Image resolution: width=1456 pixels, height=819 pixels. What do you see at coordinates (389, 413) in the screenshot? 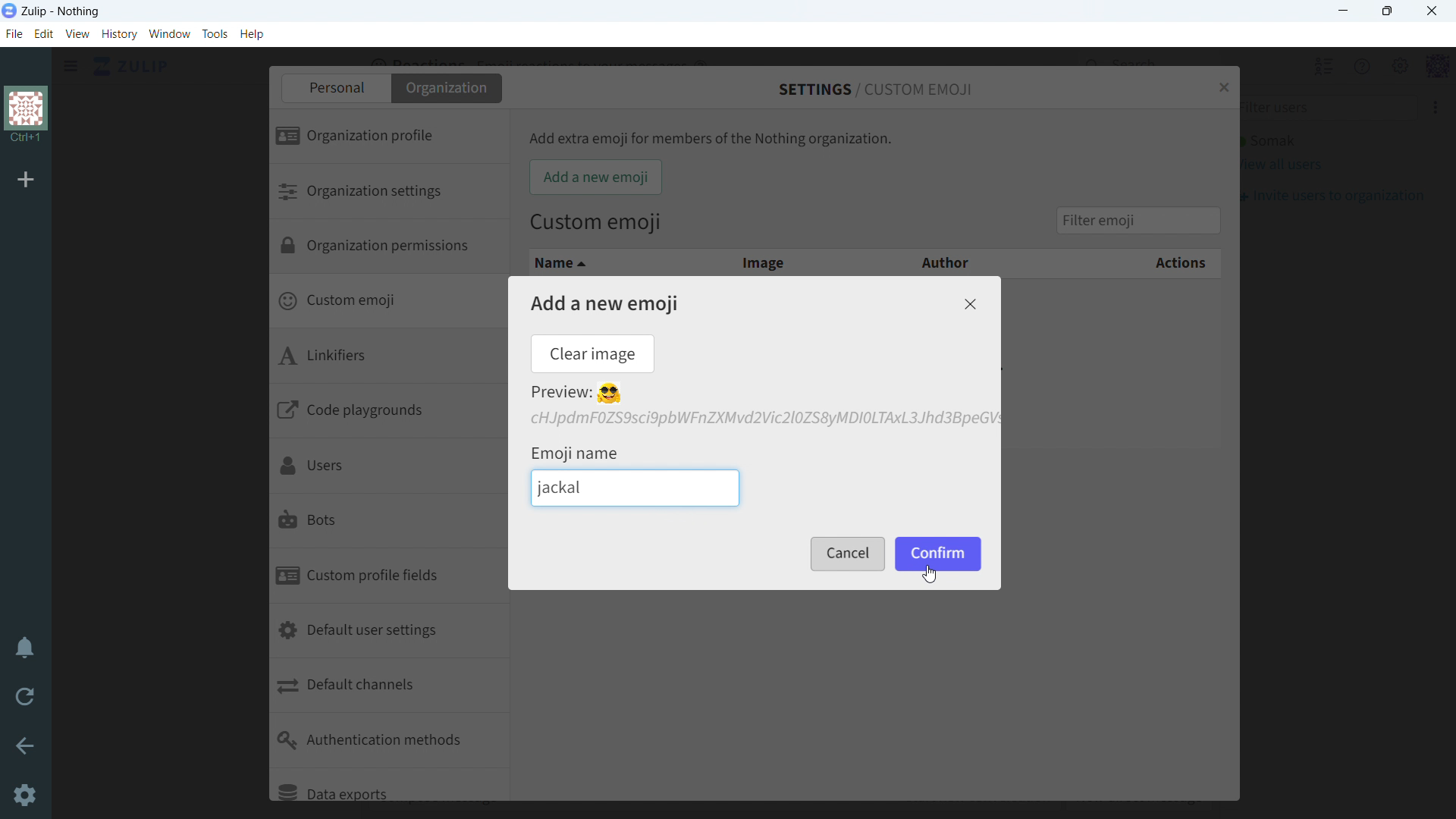
I see `code playgrounds` at bounding box center [389, 413].